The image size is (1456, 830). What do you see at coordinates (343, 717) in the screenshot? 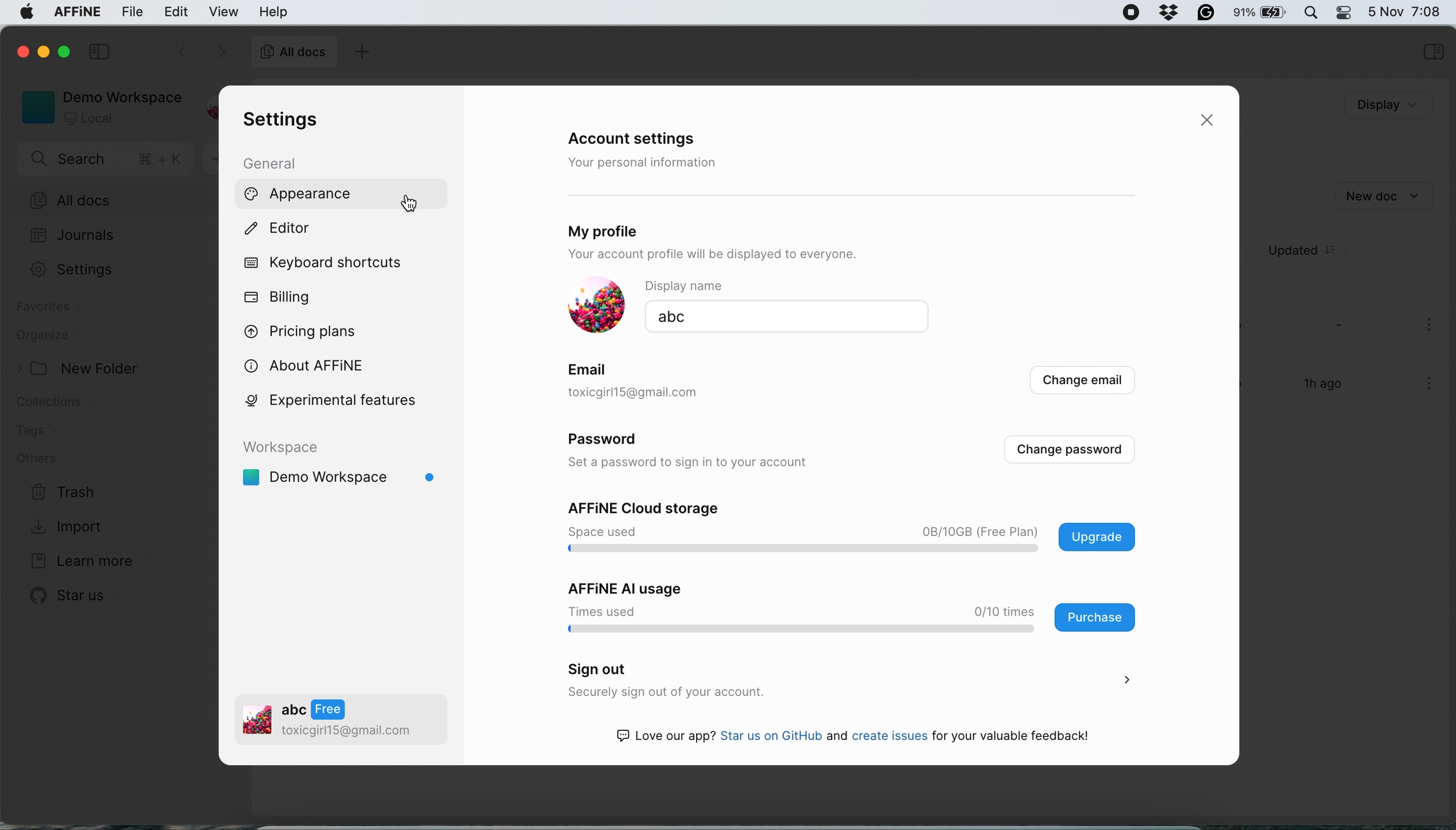
I see `profile details` at bounding box center [343, 717].